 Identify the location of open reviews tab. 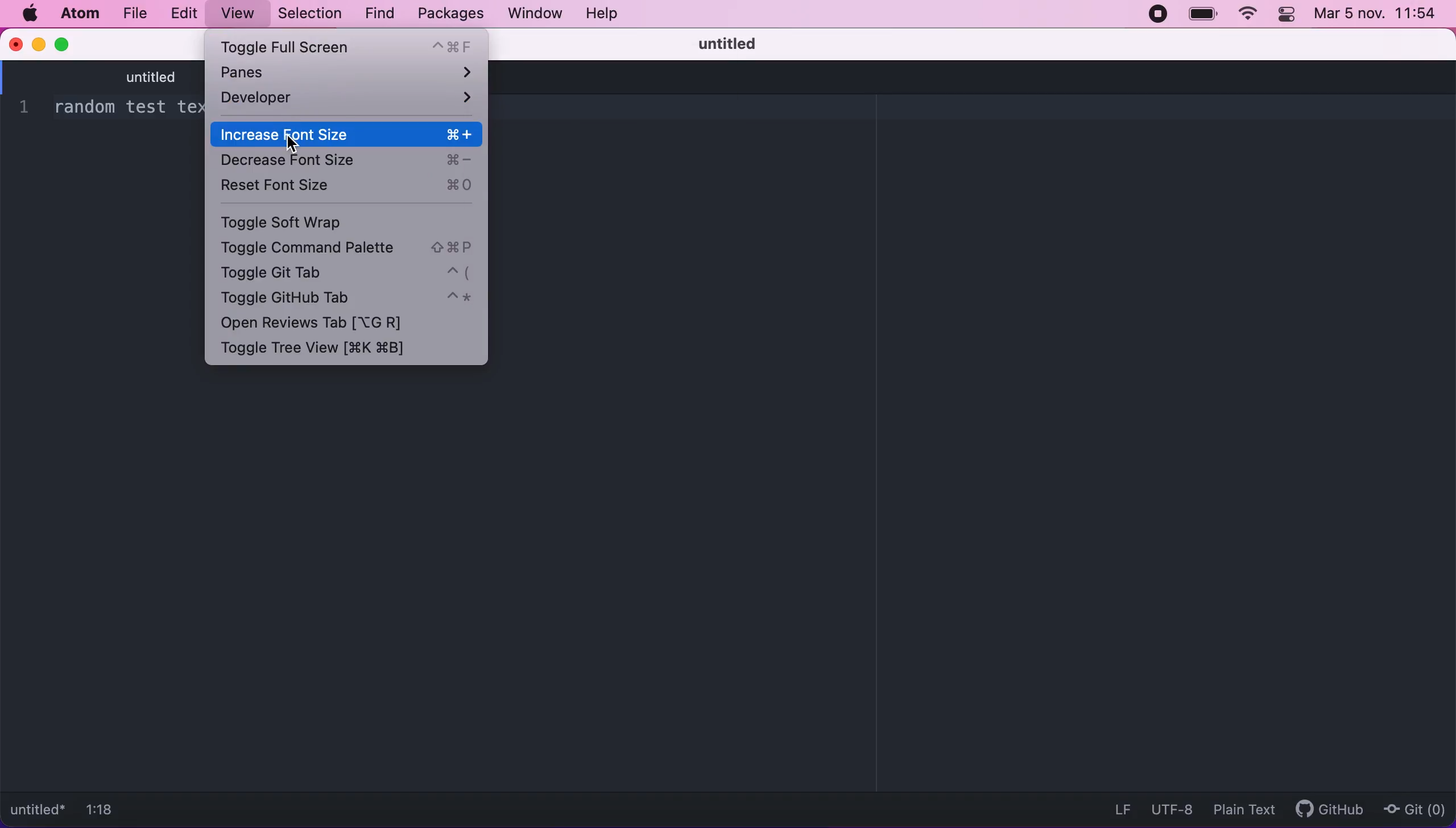
(324, 325).